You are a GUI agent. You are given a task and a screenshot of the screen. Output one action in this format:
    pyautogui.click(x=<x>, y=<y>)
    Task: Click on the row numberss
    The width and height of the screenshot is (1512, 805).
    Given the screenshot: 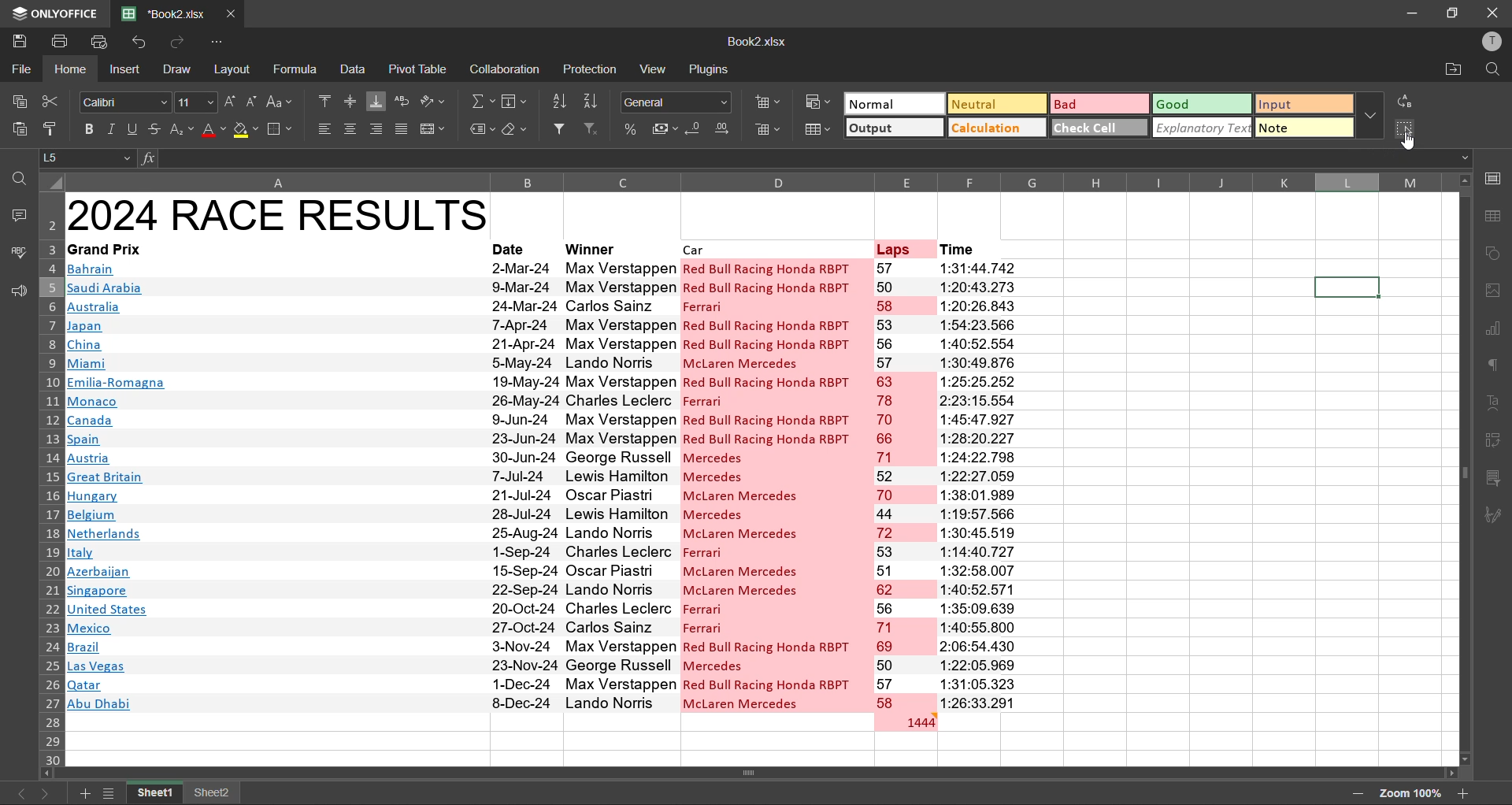 What is the action you would take?
    pyautogui.click(x=52, y=478)
    